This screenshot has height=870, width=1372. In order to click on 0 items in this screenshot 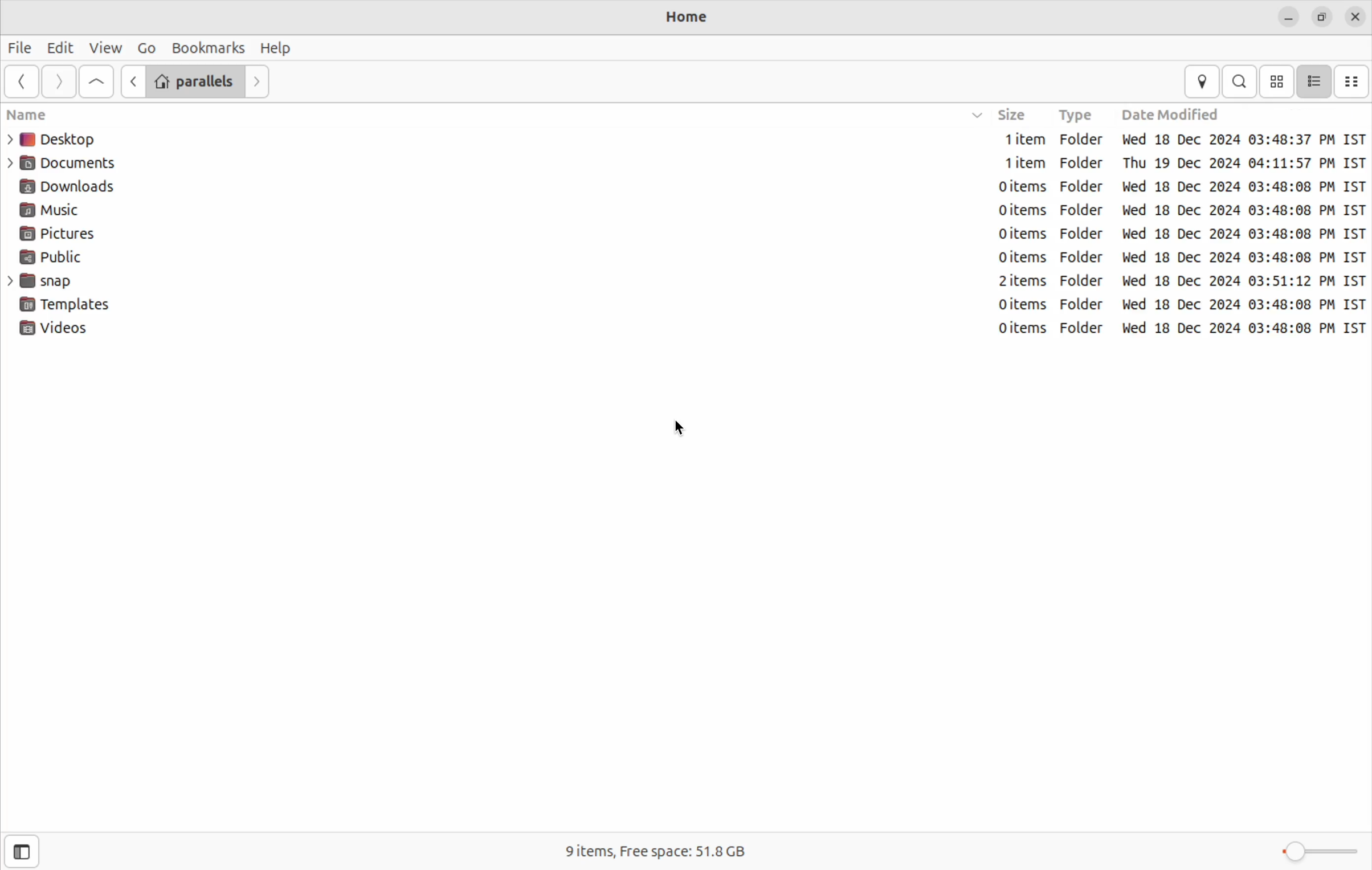, I will do `click(1008, 185)`.